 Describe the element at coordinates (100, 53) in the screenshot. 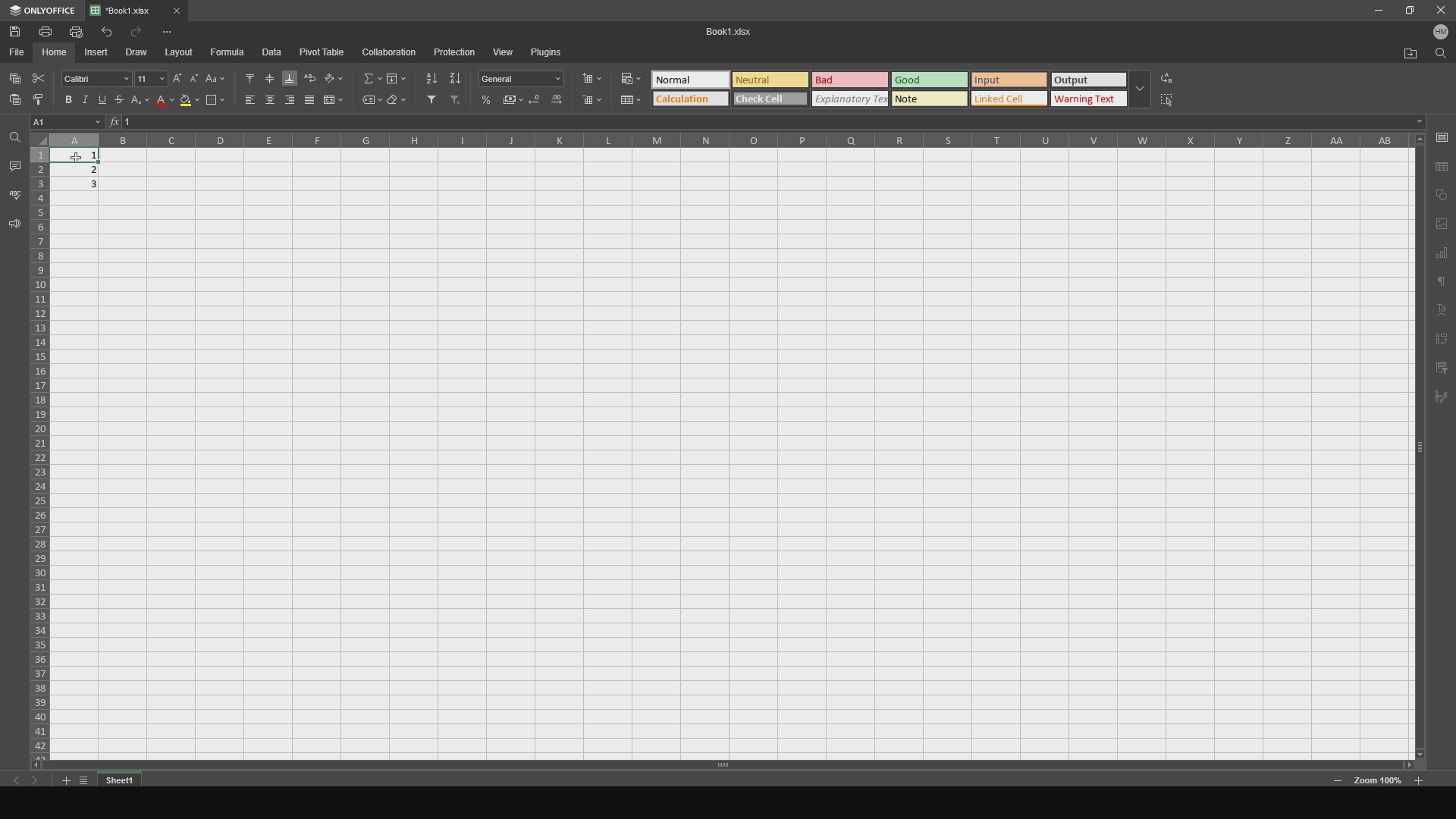

I see `insert` at that location.